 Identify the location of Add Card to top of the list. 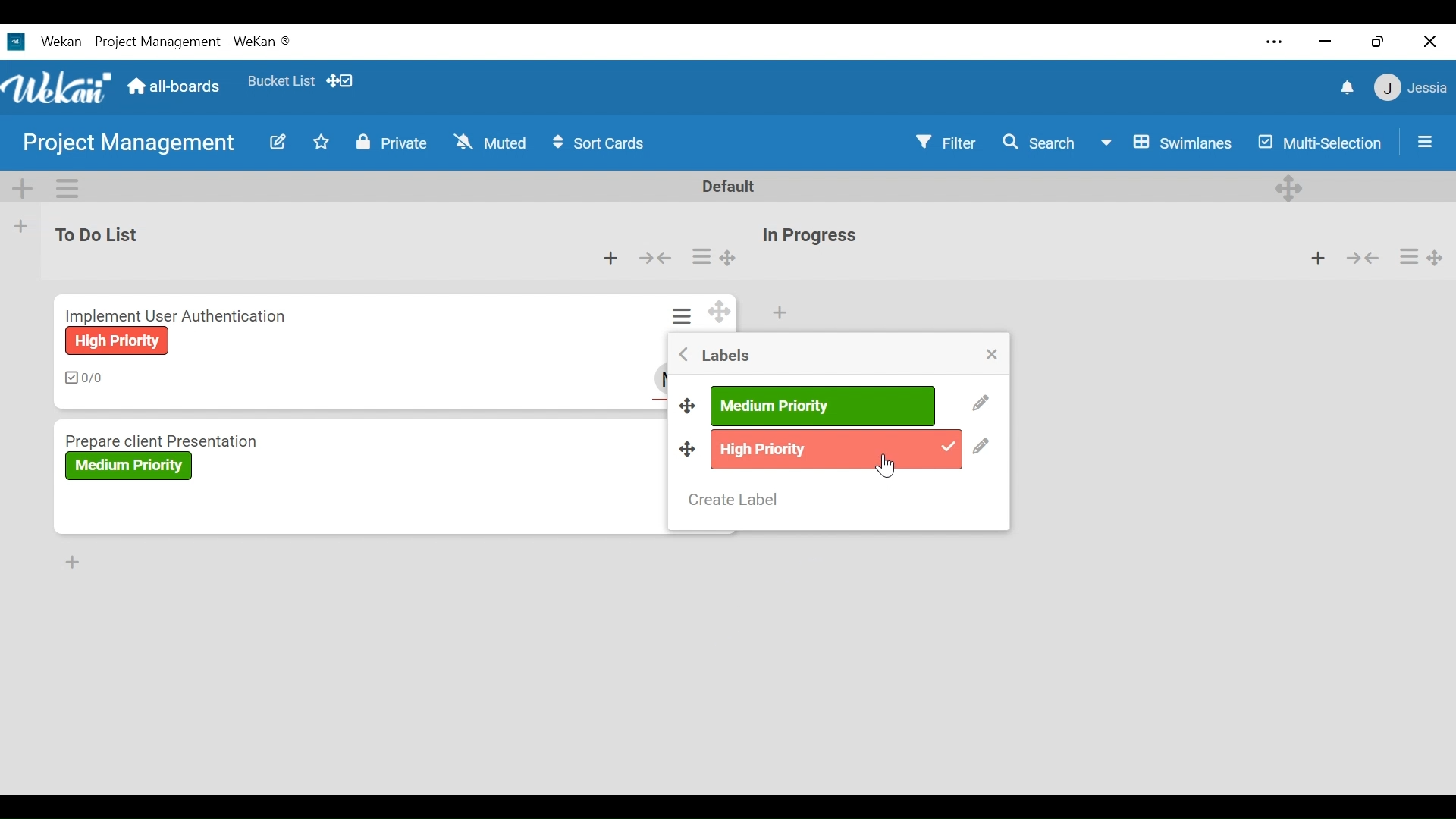
(779, 313).